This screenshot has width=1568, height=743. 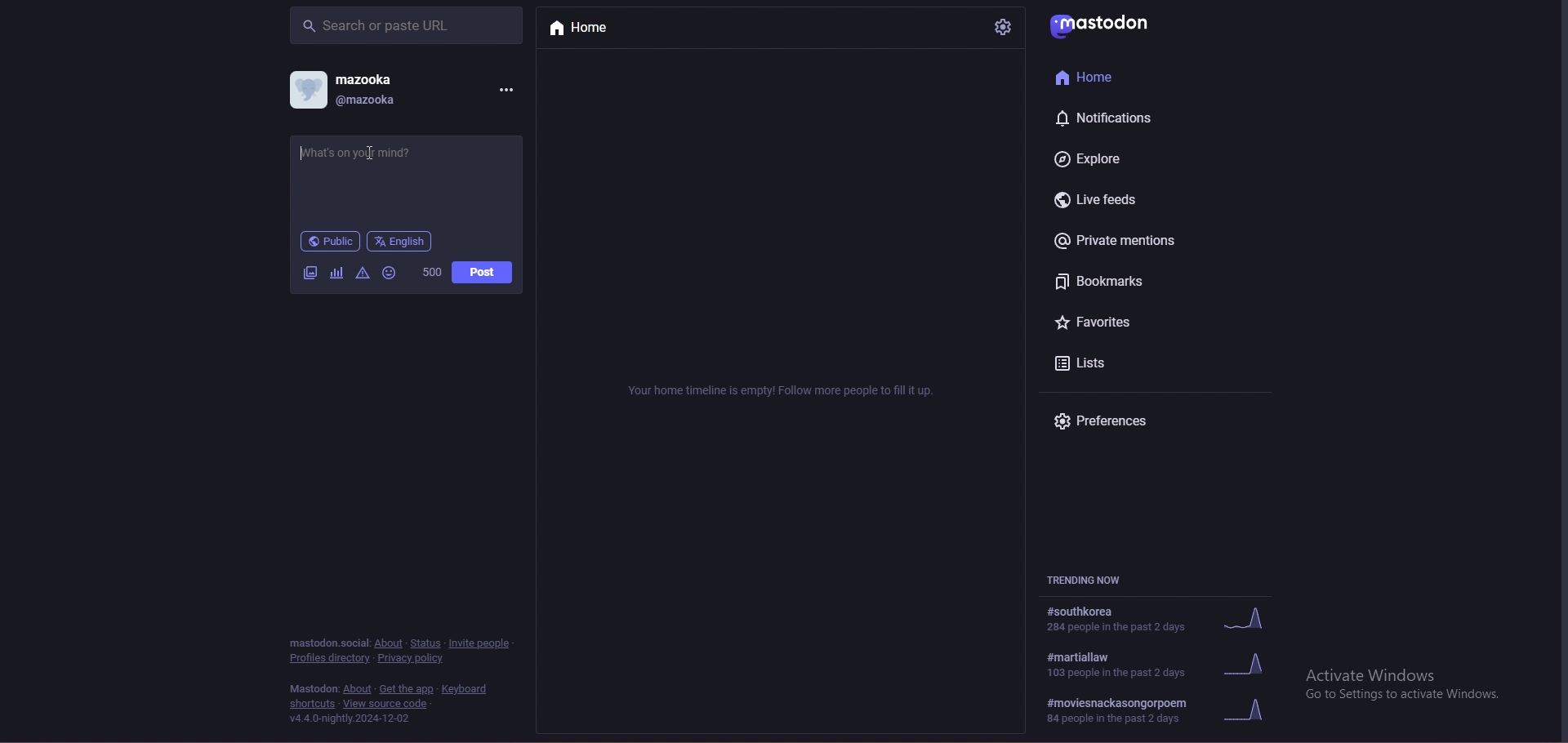 What do you see at coordinates (768, 394) in the screenshot?
I see `Your home timeline is empty! Follow more people to fill it up.` at bounding box center [768, 394].